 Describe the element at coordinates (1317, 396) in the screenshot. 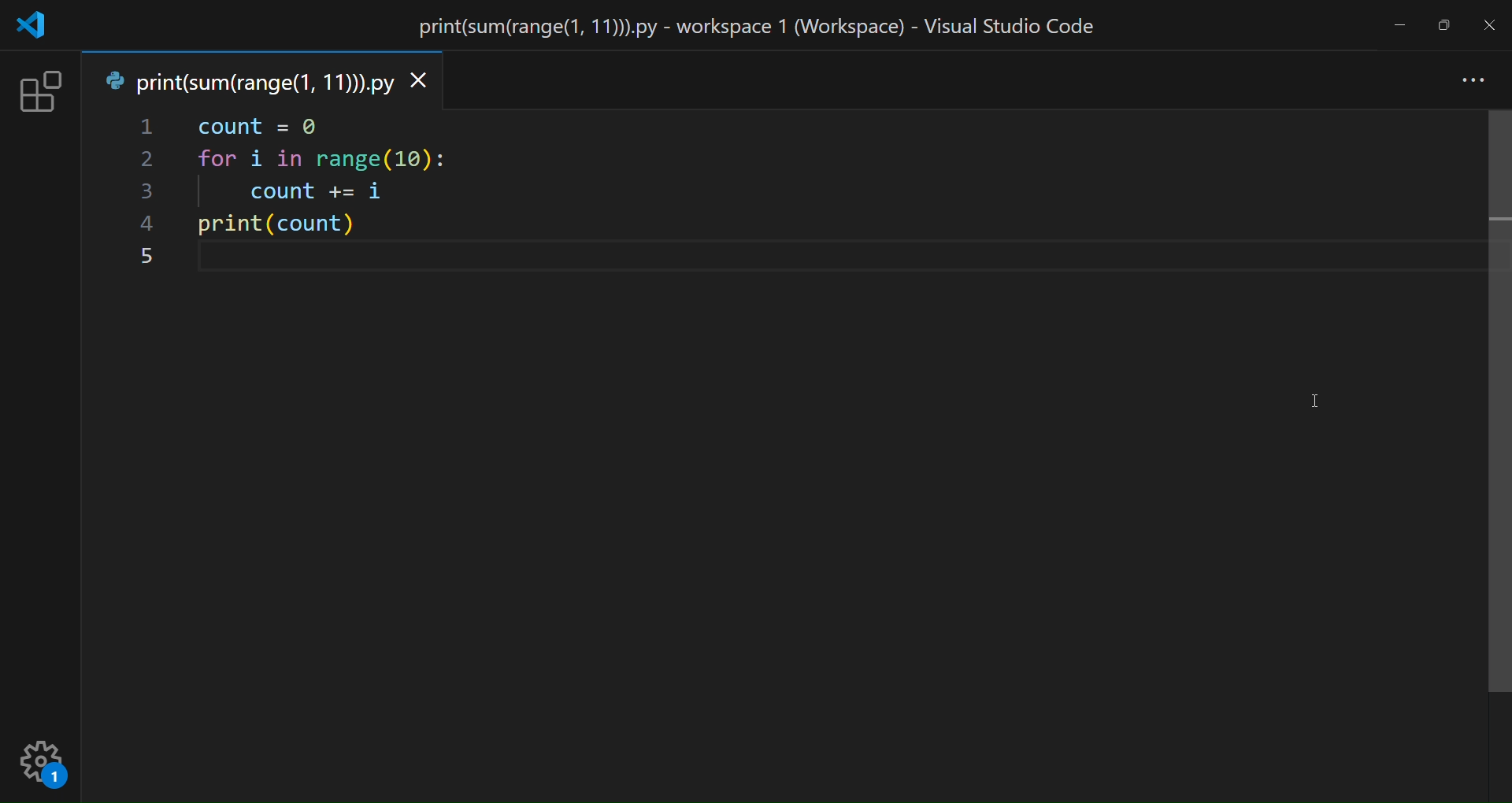

I see `cursor` at that location.